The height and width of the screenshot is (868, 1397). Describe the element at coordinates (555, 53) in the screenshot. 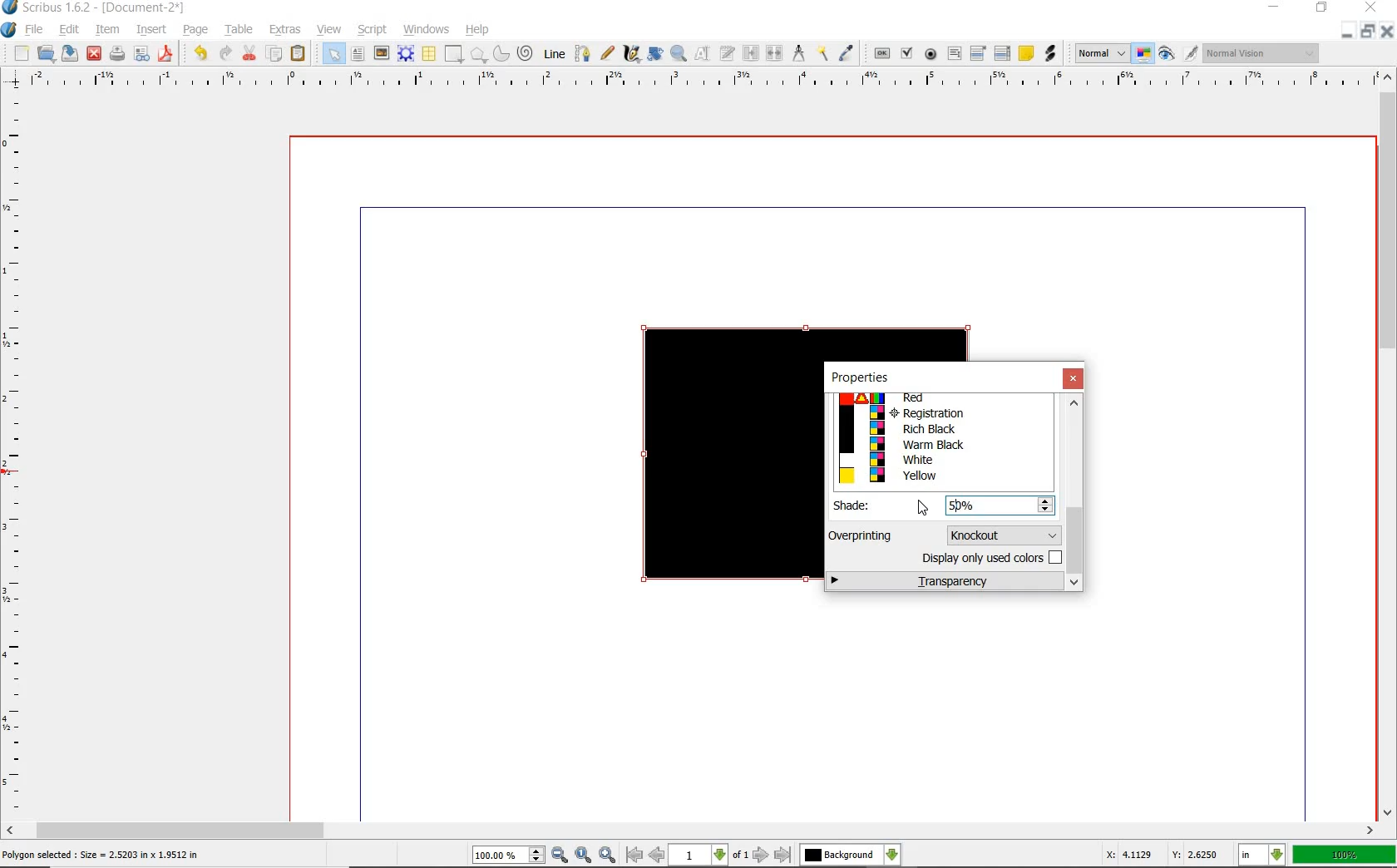

I see `line` at that location.